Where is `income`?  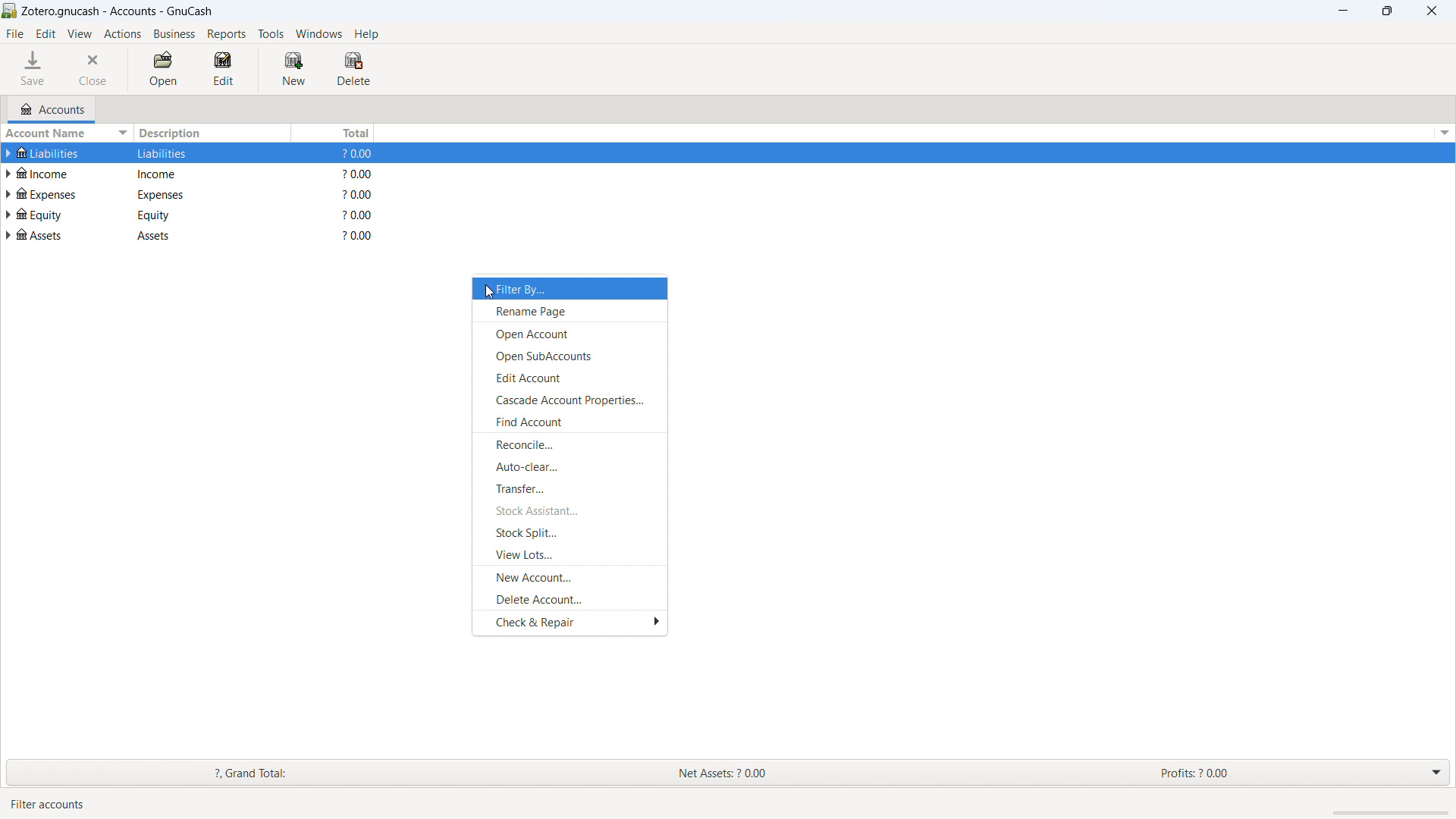
income is located at coordinates (49, 172).